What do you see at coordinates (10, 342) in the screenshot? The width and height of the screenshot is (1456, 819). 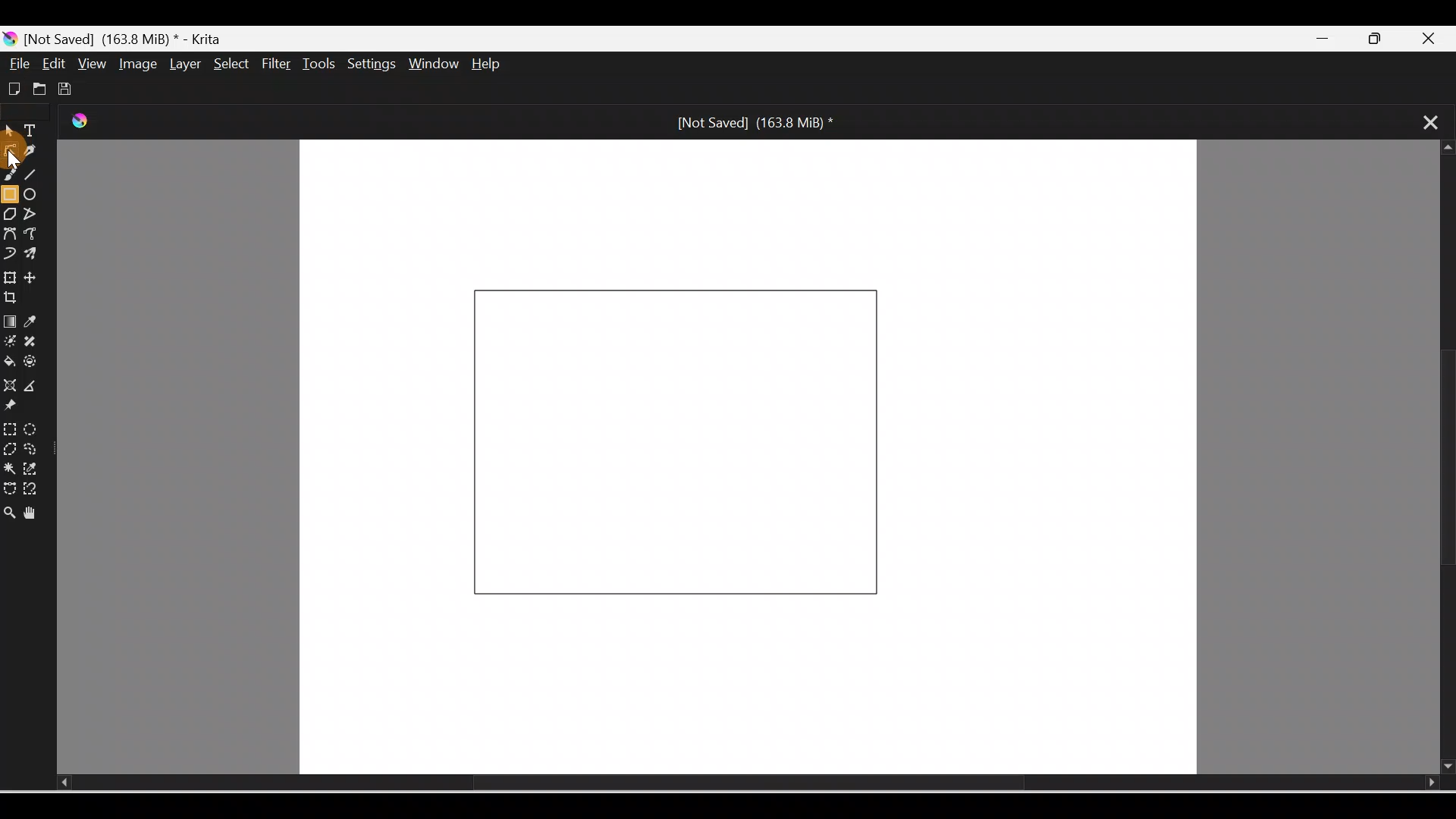 I see `Colorize mask tool` at bounding box center [10, 342].